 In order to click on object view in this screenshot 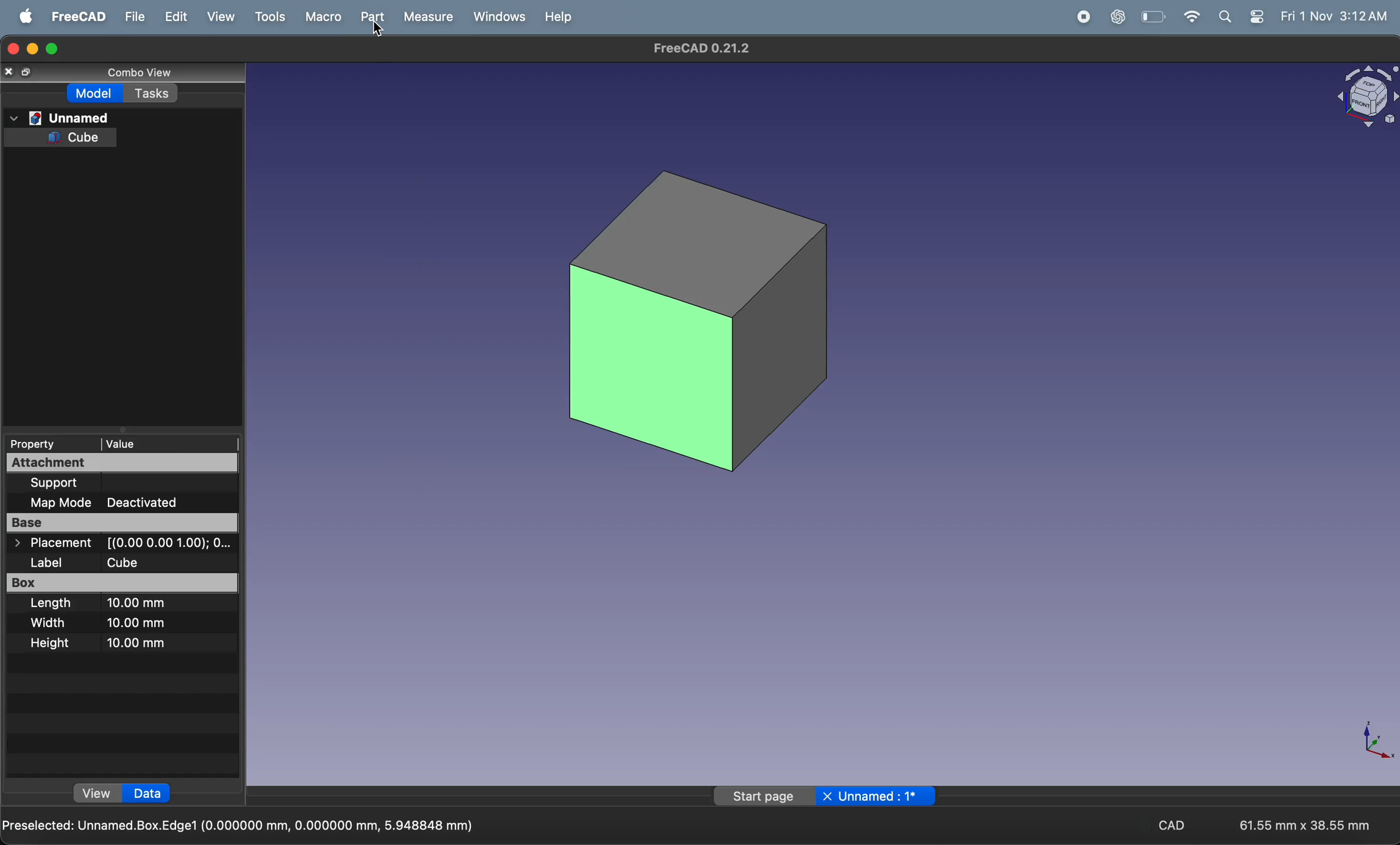, I will do `click(1365, 100)`.